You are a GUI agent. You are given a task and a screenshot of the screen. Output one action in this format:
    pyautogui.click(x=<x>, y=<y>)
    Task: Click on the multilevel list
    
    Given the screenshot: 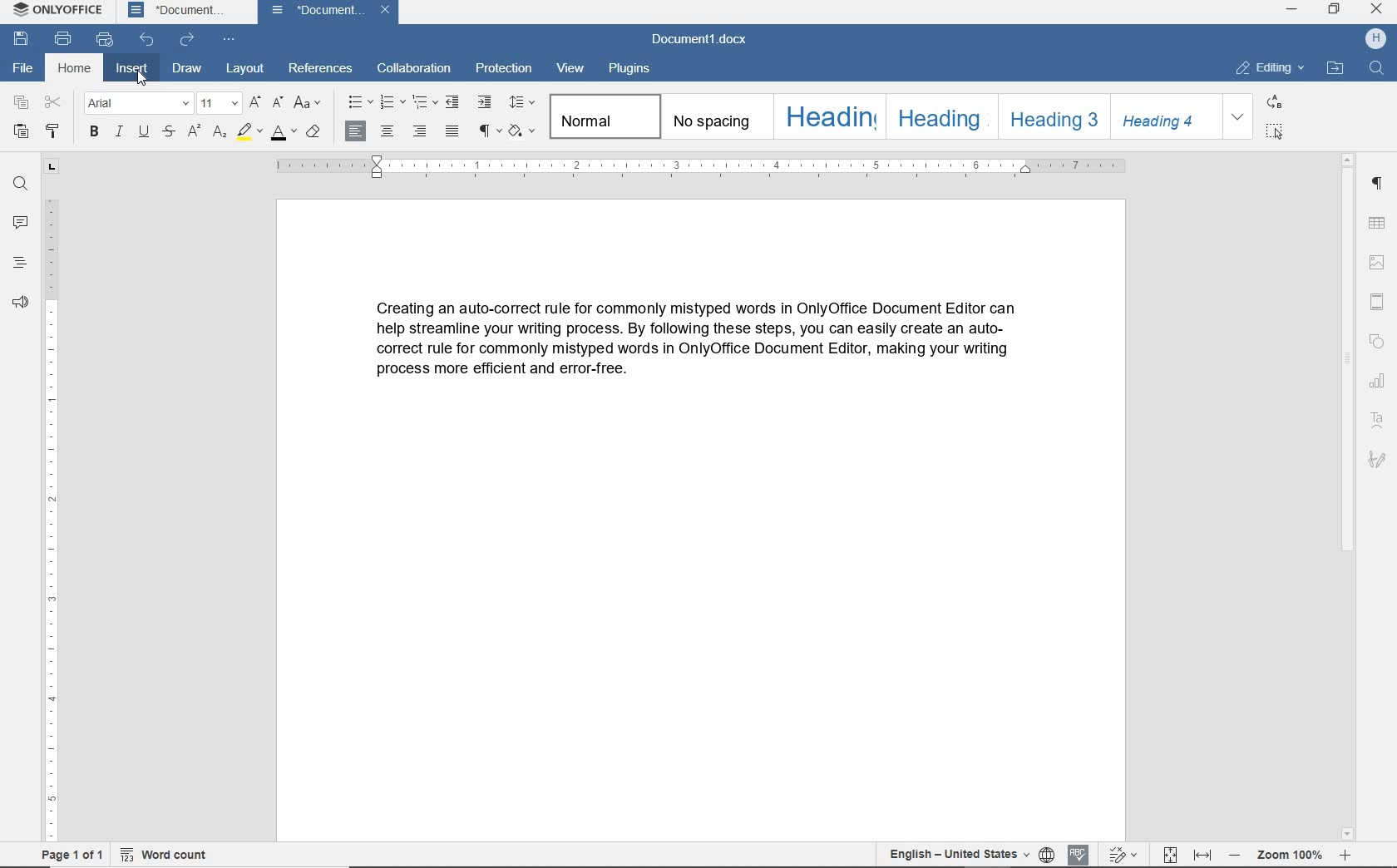 What is the action you would take?
    pyautogui.click(x=426, y=103)
    